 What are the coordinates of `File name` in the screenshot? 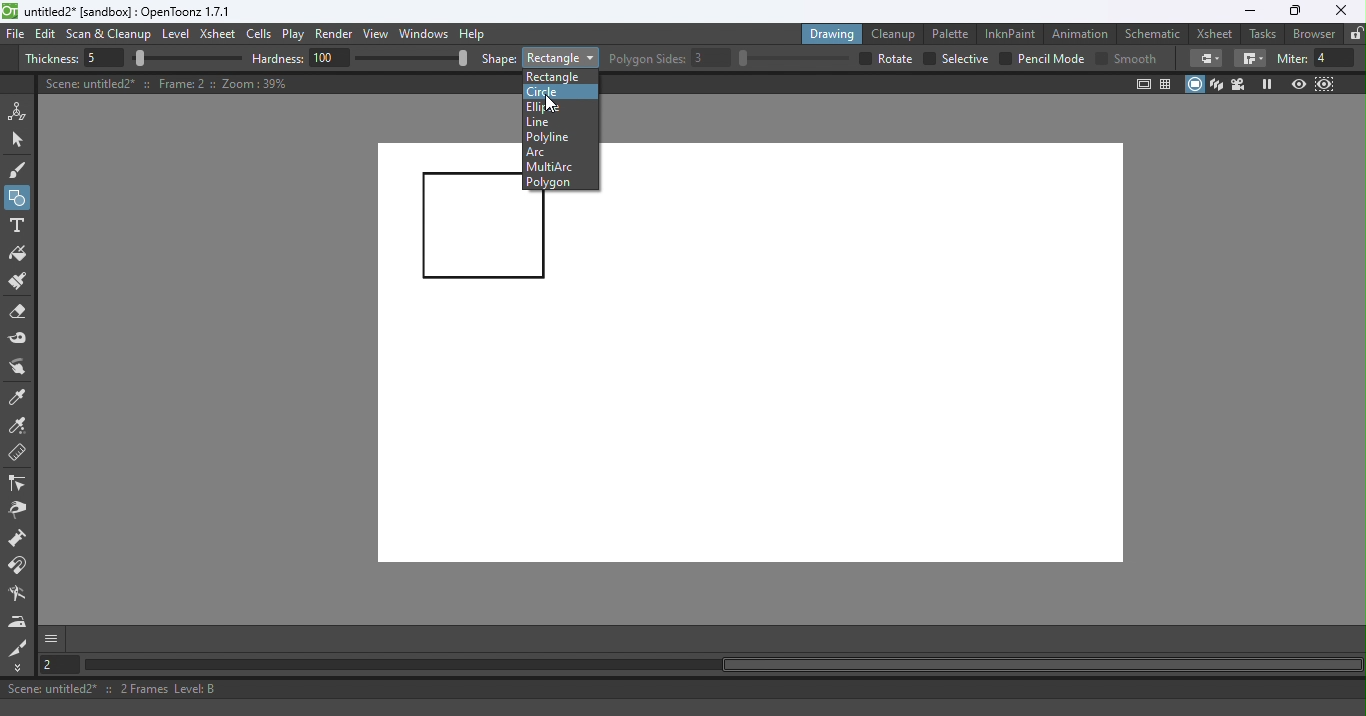 It's located at (129, 12).